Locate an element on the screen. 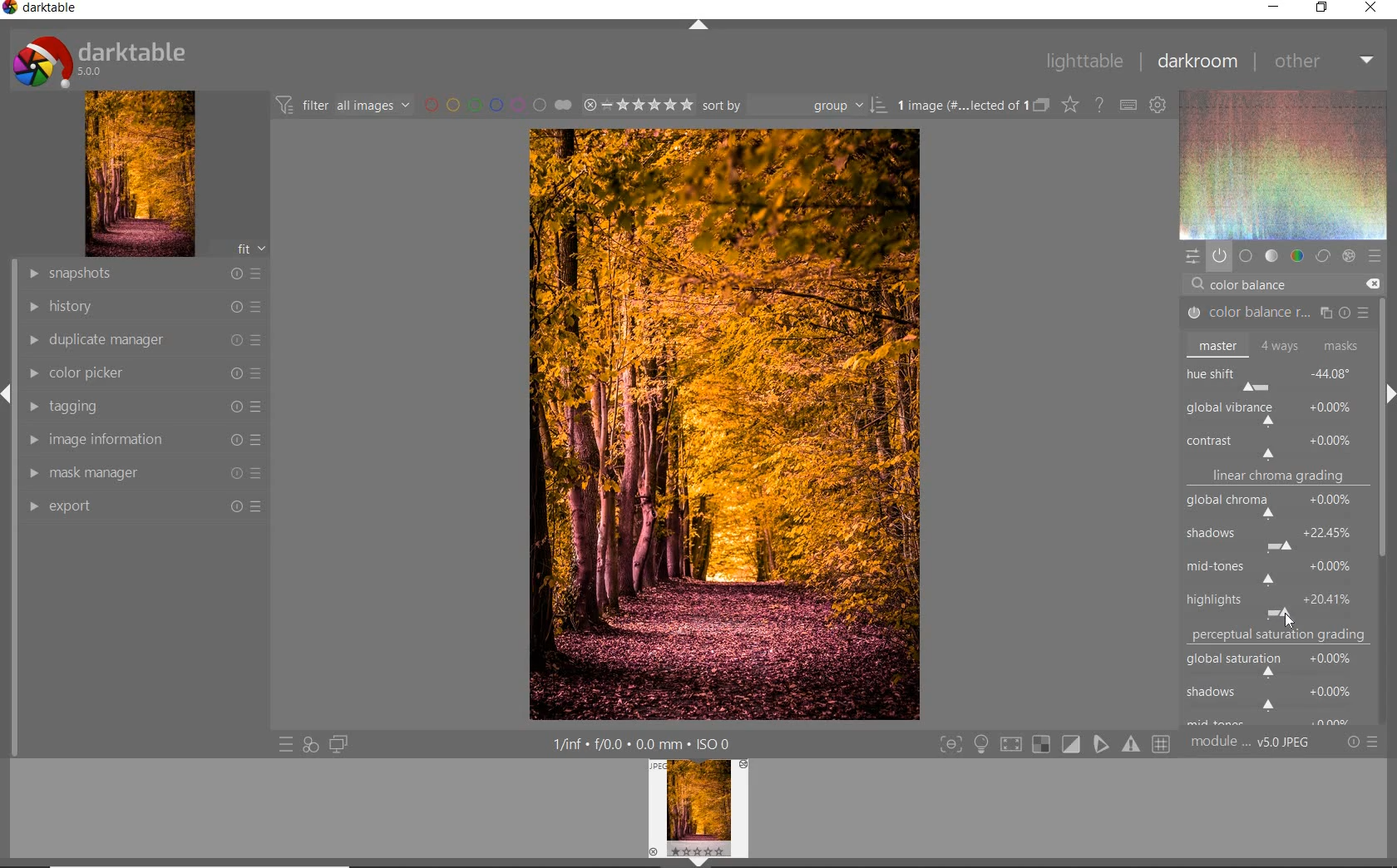  duplicate manager is located at coordinates (146, 340).